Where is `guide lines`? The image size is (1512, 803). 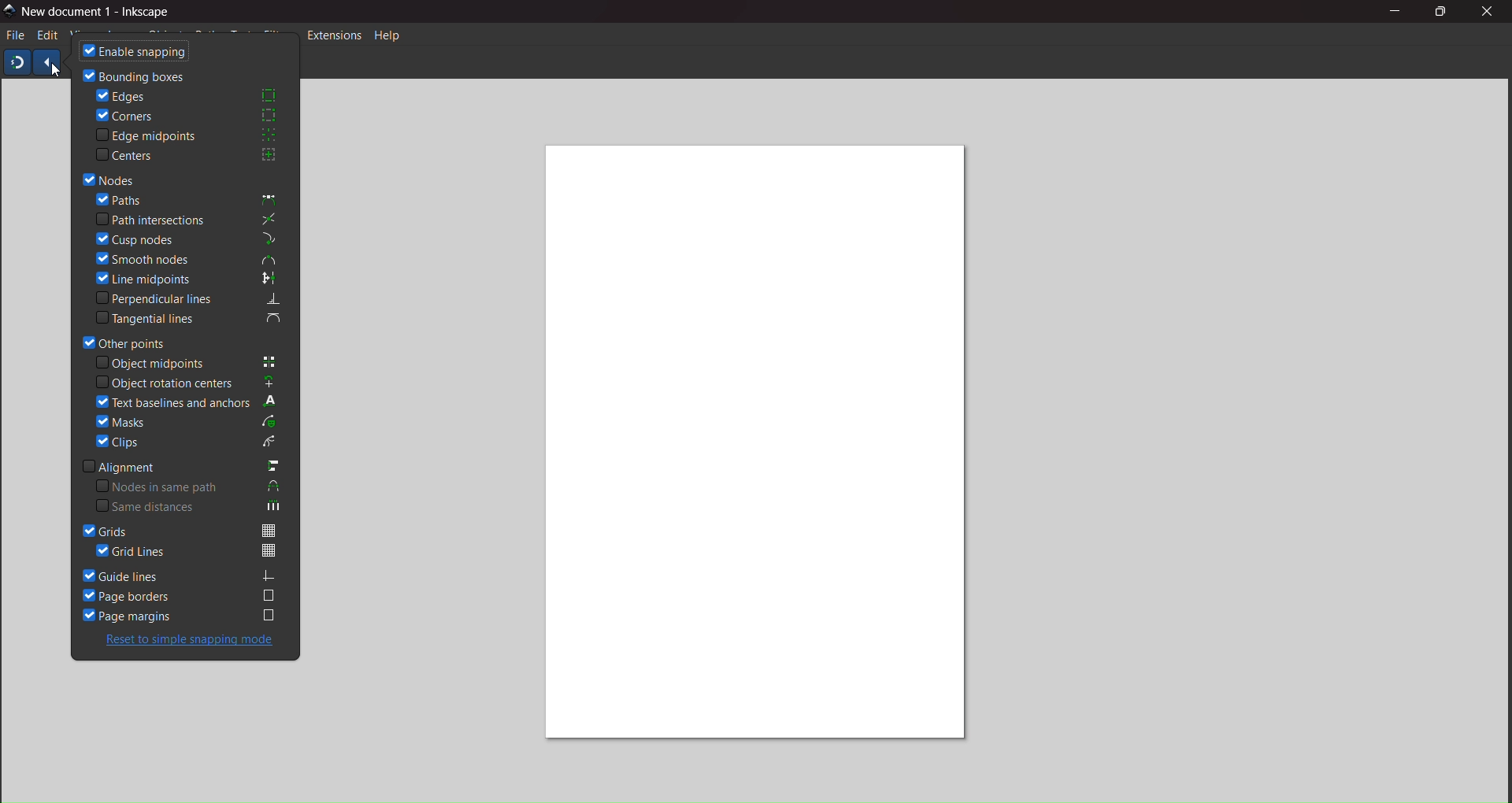
guide lines is located at coordinates (180, 575).